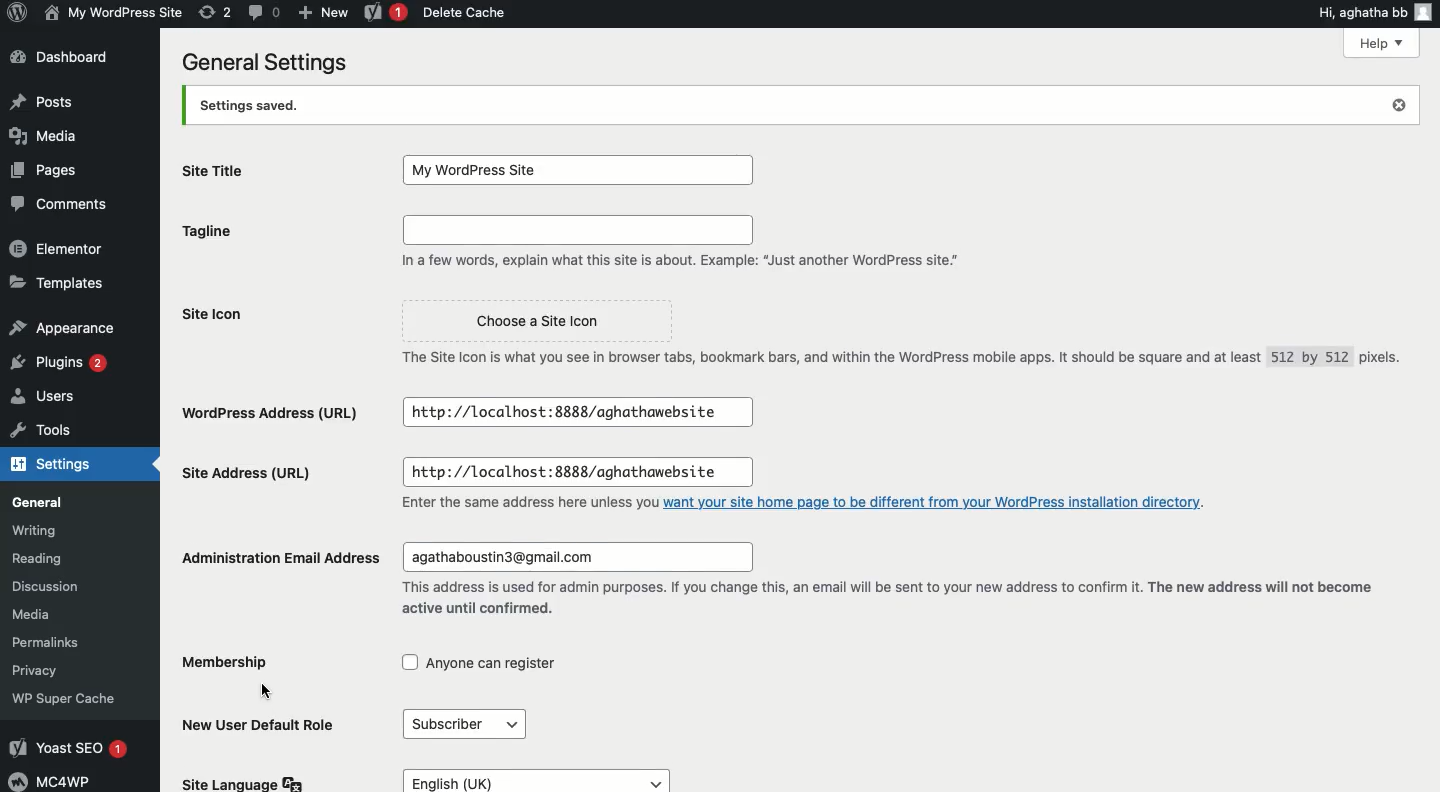 This screenshot has height=792, width=1440. What do you see at coordinates (227, 320) in the screenshot?
I see `Site icon` at bounding box center [227, 320].